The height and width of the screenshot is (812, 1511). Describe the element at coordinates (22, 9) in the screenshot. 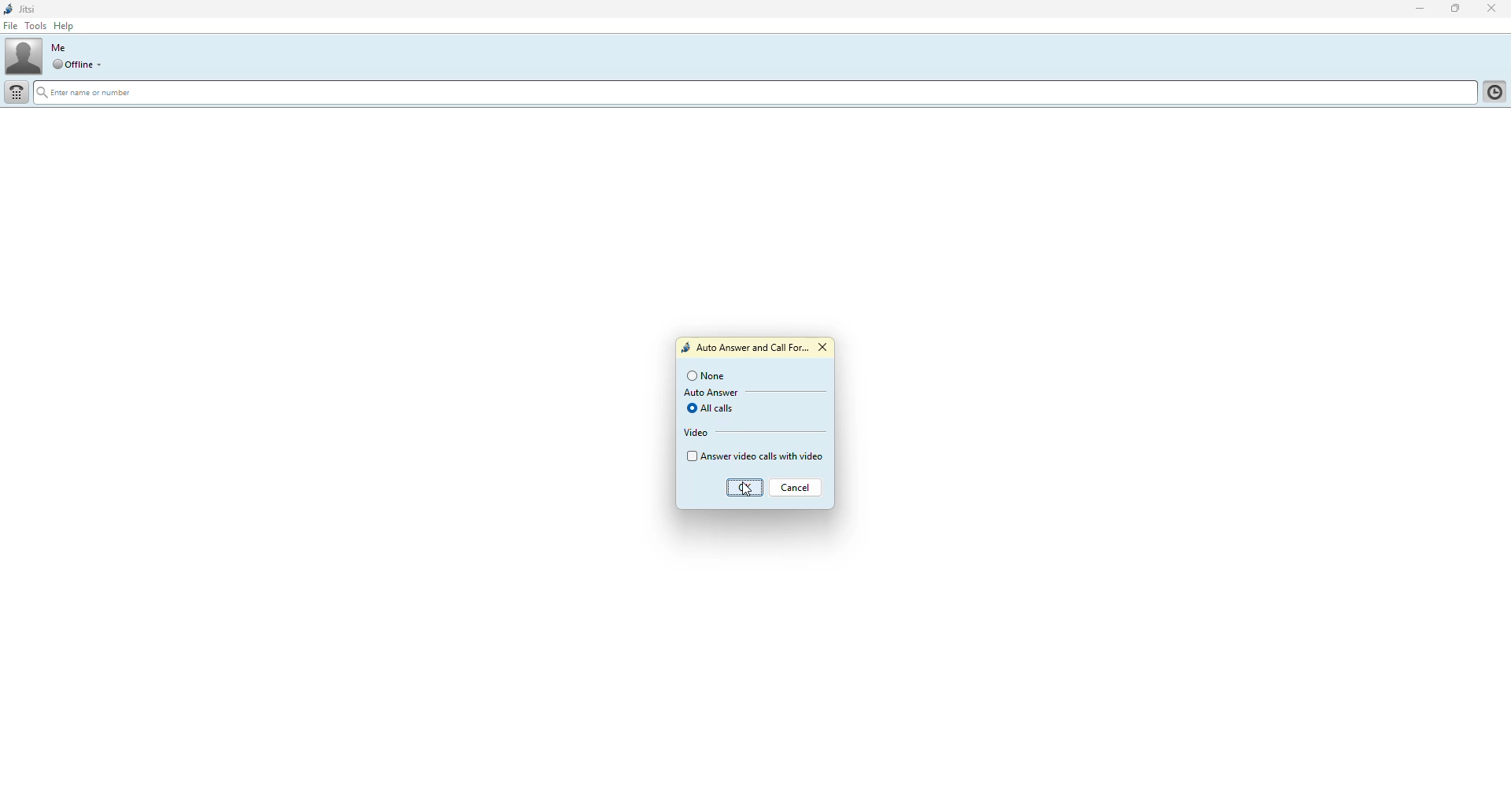

I see `jitsi` at that location.